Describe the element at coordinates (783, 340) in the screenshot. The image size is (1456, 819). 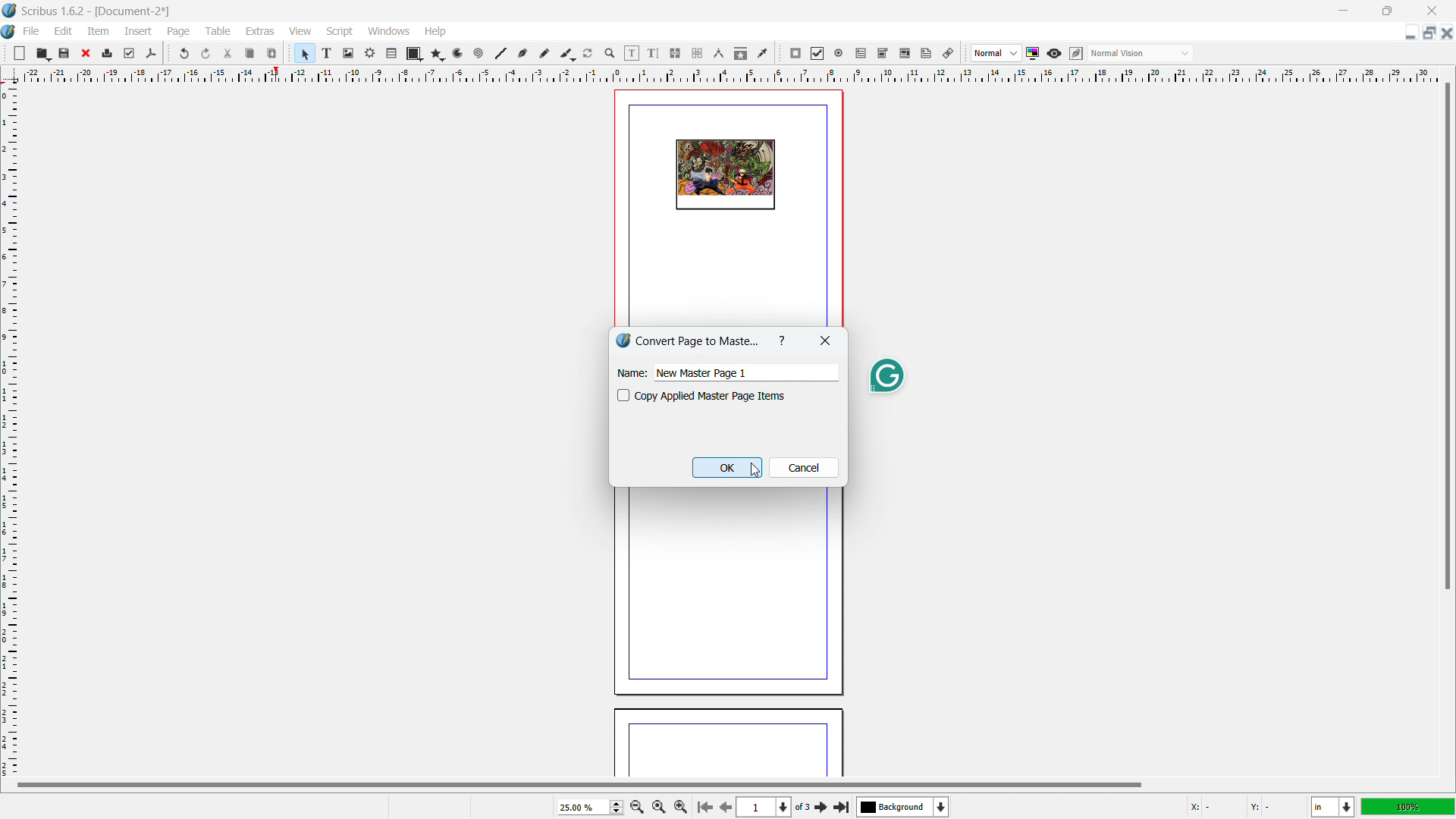
I see `help` at that location.